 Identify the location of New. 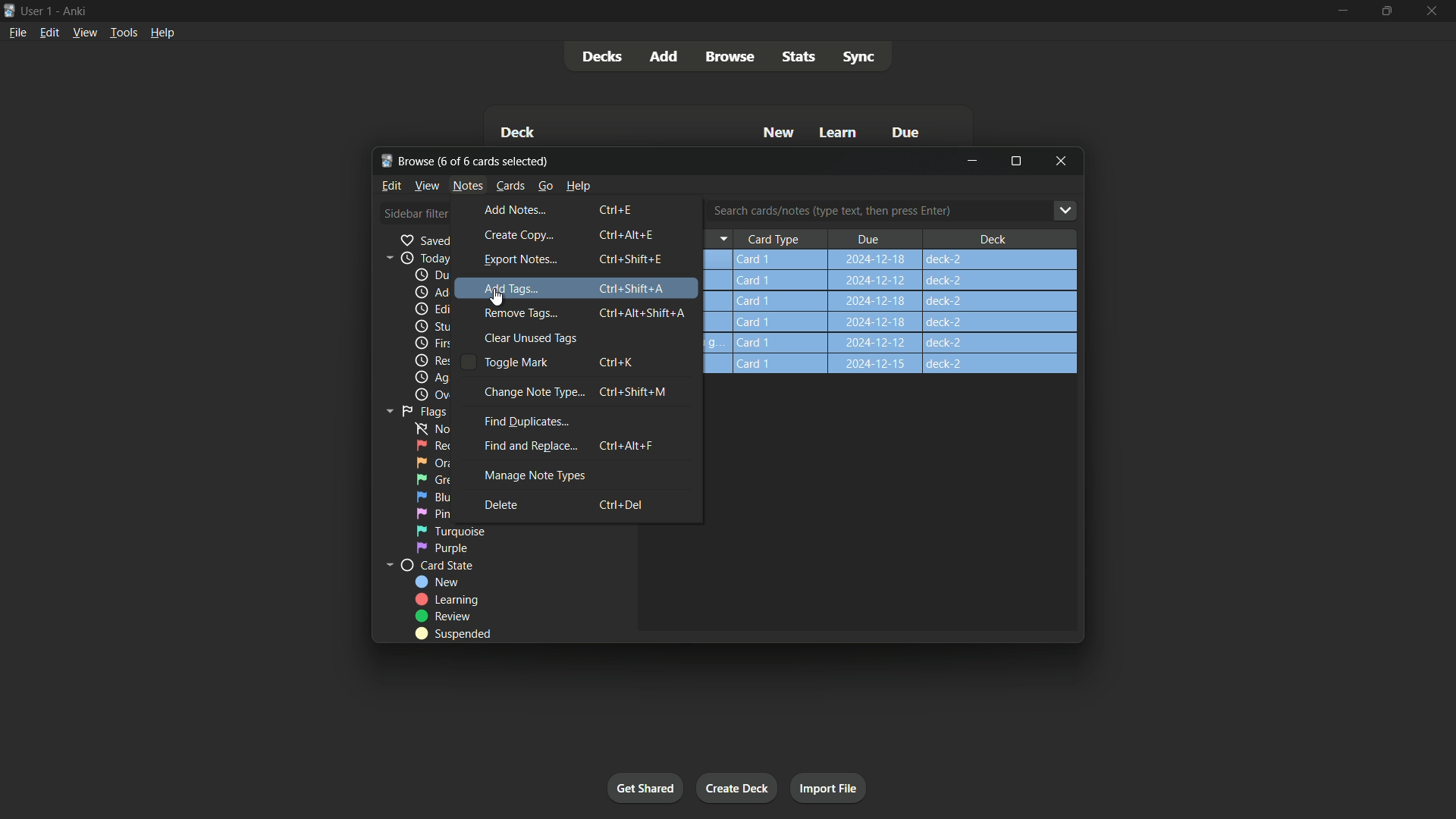
(780, 133).